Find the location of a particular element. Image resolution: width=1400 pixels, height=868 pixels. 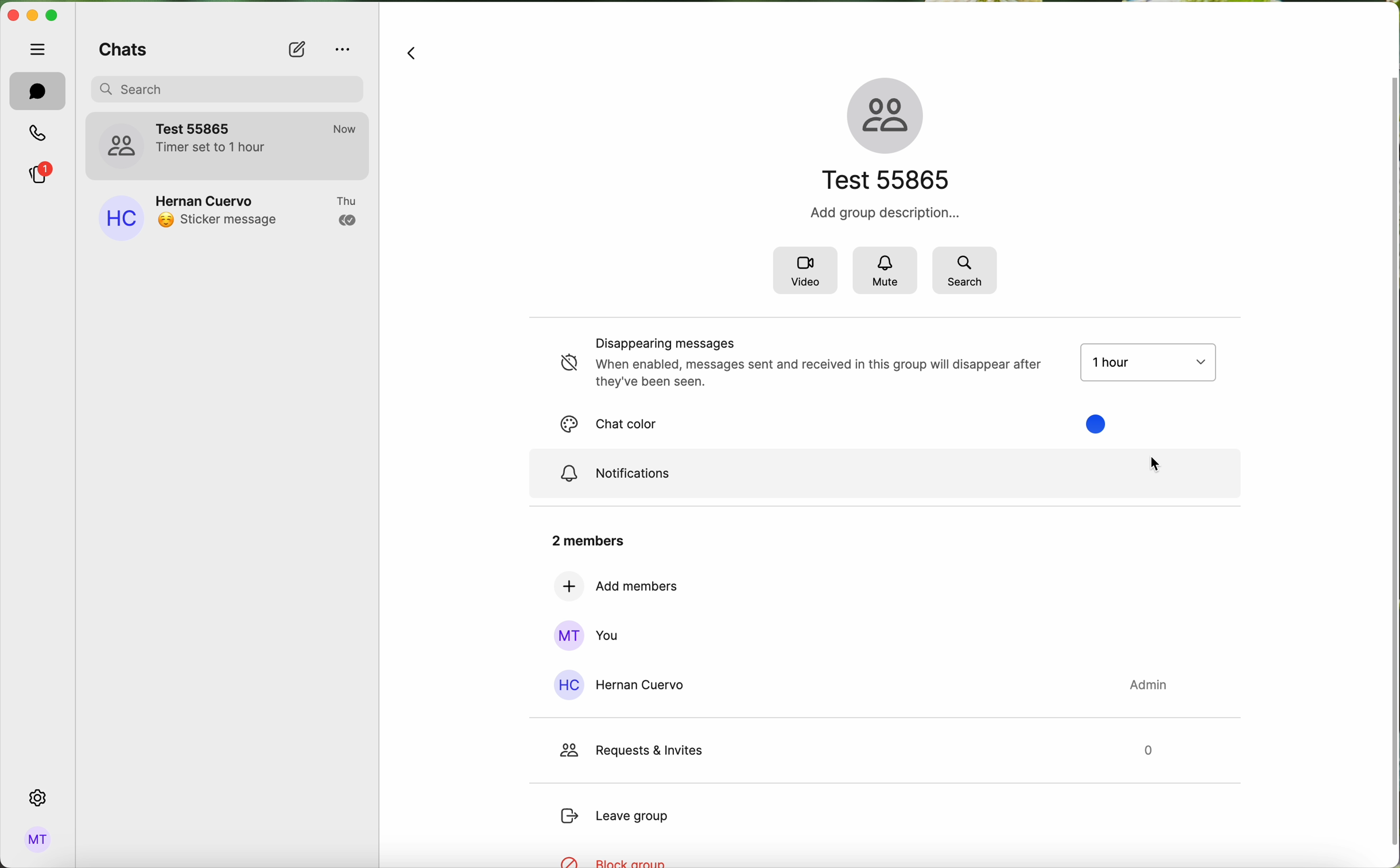

test 55865 group is located at coordinates (228, 144).